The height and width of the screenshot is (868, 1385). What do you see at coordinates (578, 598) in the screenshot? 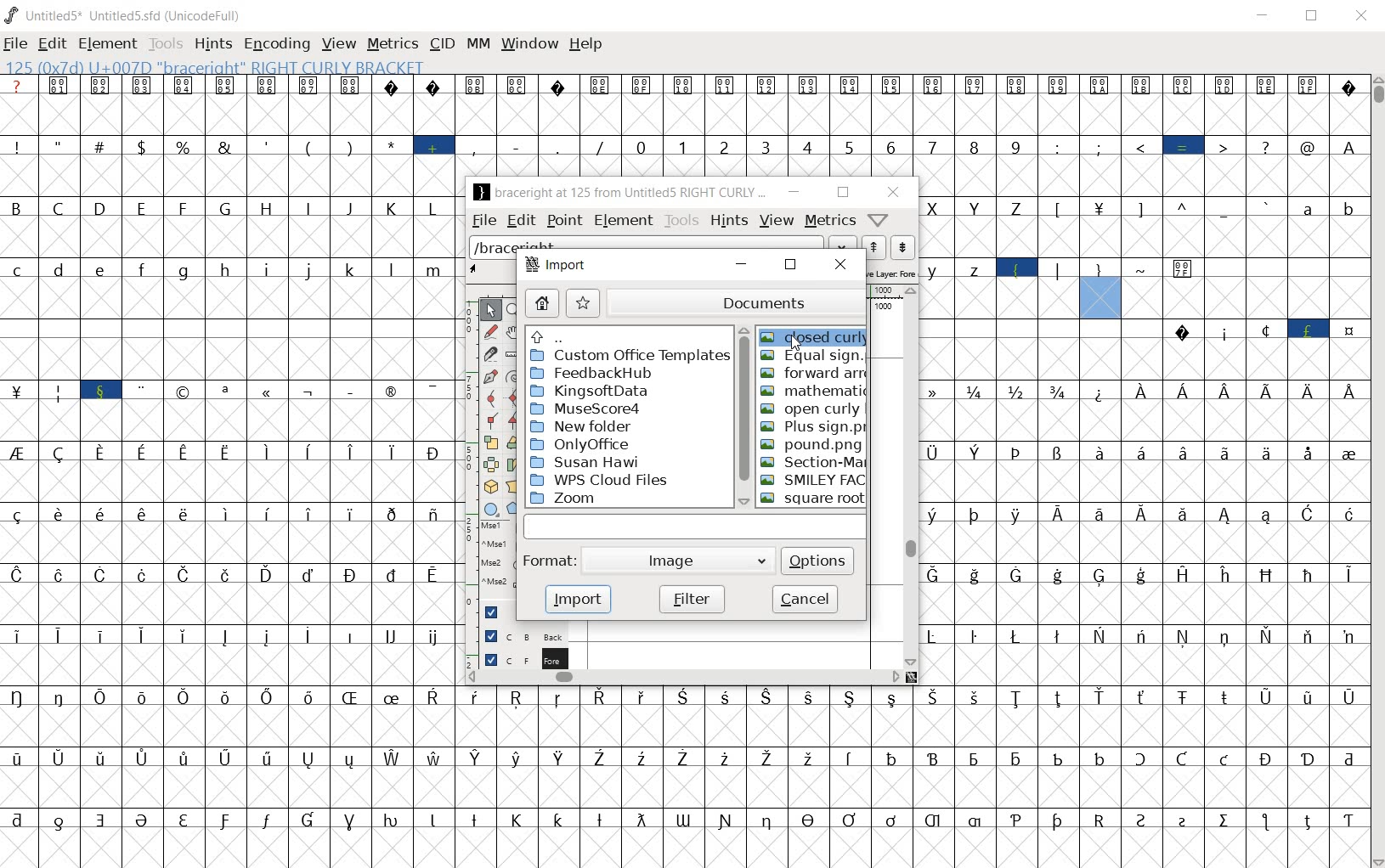
I see `import` at bounding box center [578, 598].